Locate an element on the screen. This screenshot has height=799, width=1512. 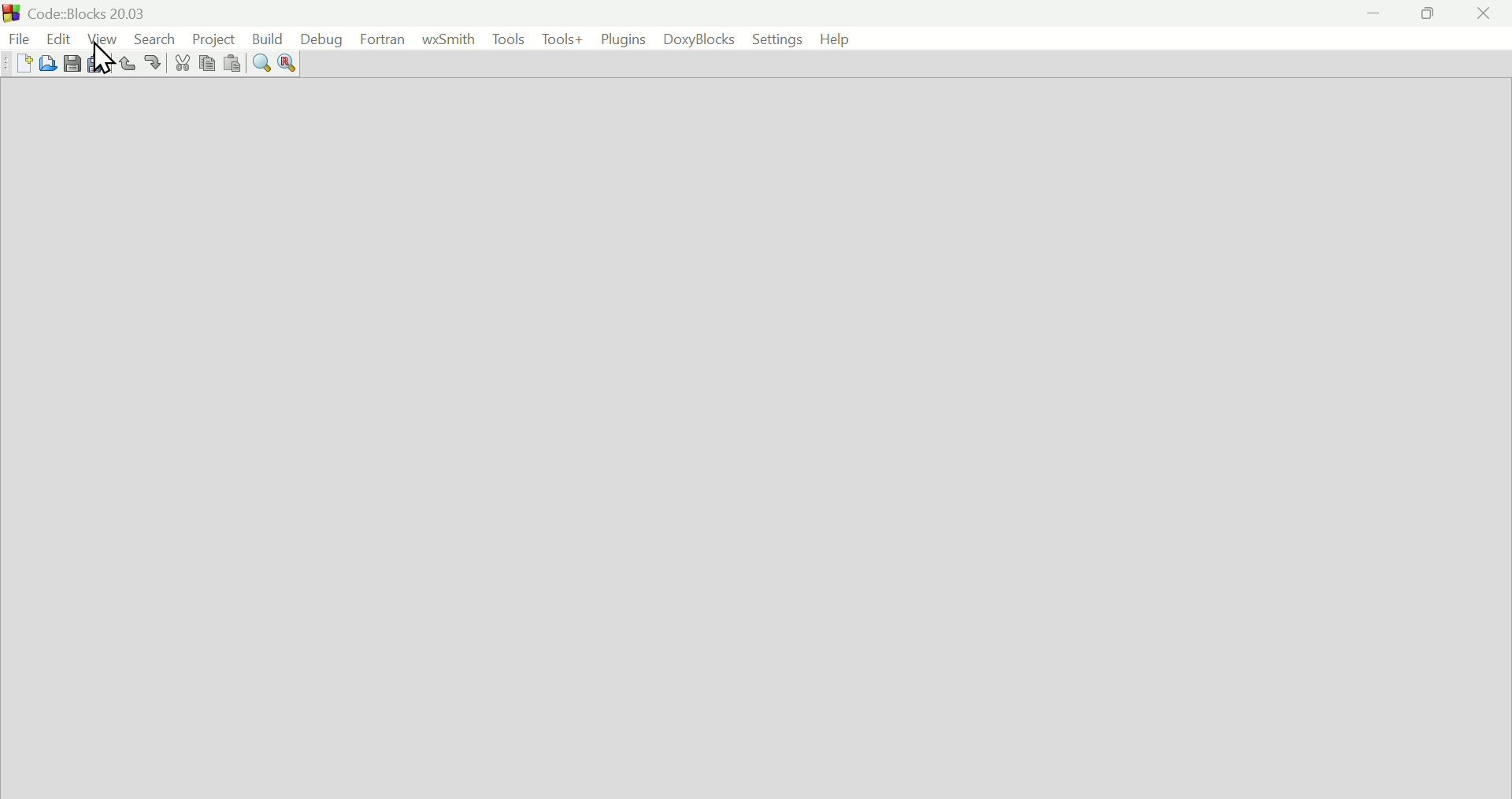
 Settings is located at coordinates (770, 39).